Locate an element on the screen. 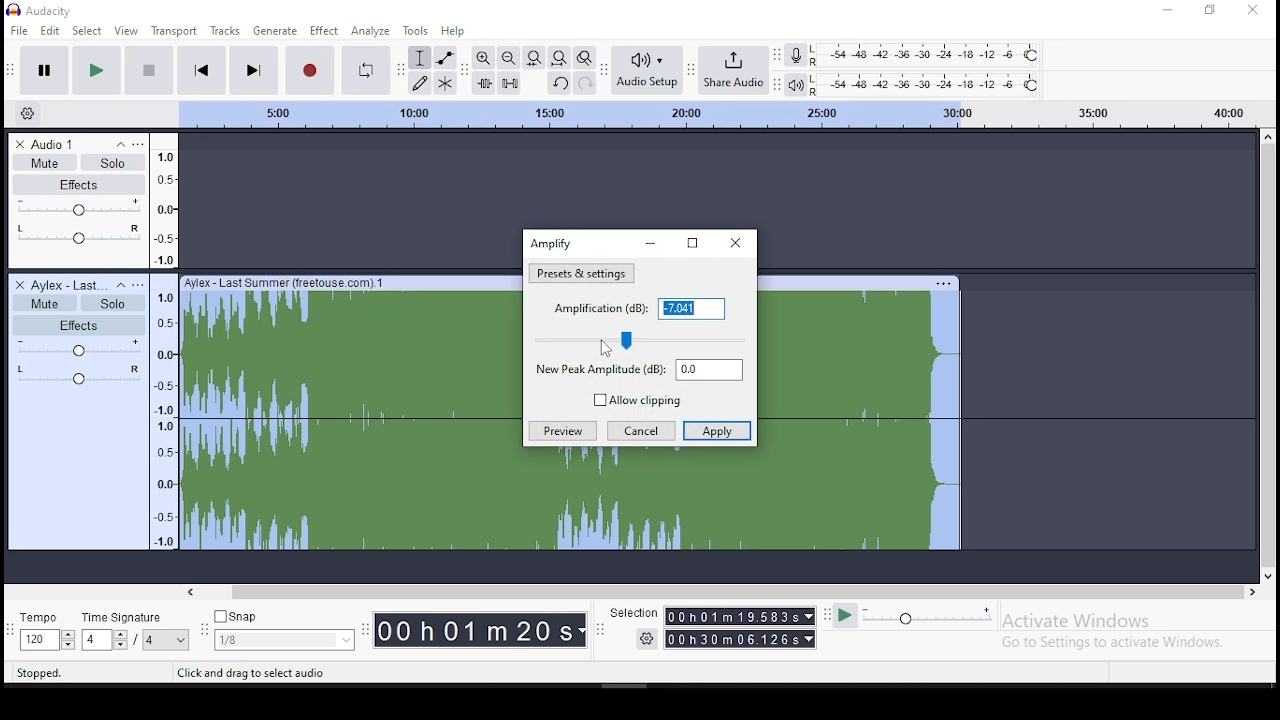  preview is located at coordinates (564, 432).